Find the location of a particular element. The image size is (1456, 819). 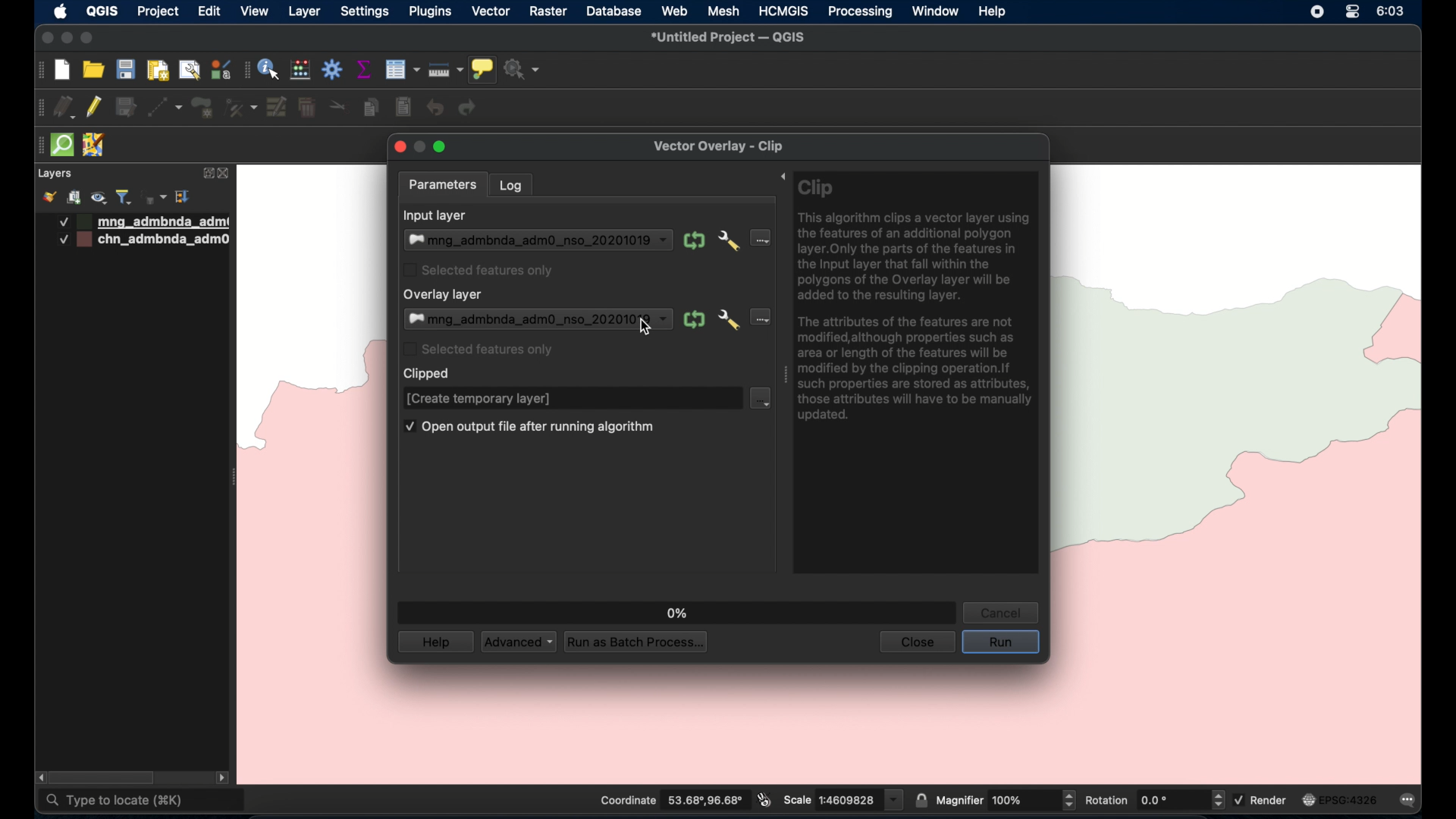

expand all is located at coordinates (184, 197).